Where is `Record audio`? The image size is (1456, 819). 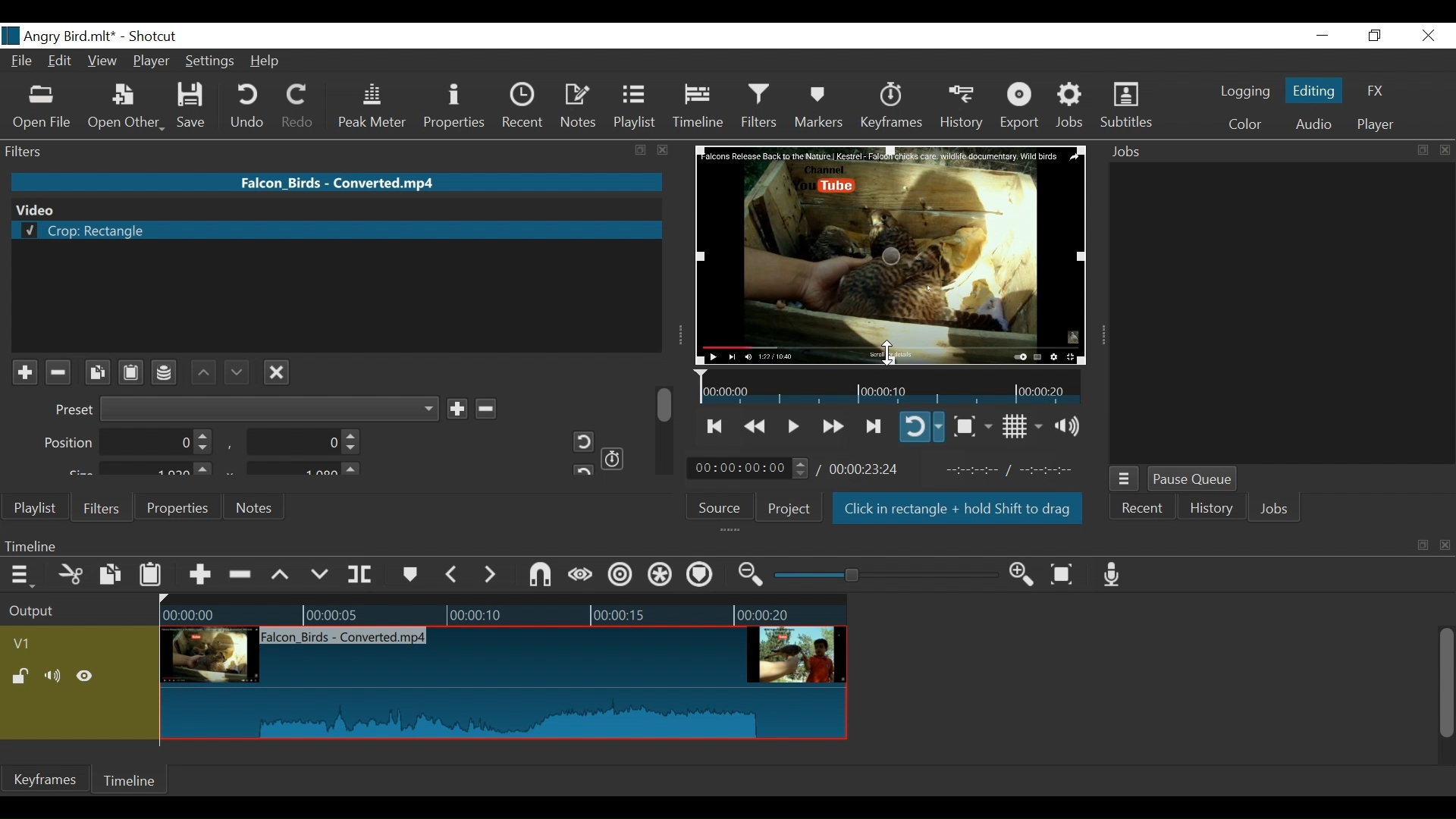 Record audio is located at coordinates (1112, 574).